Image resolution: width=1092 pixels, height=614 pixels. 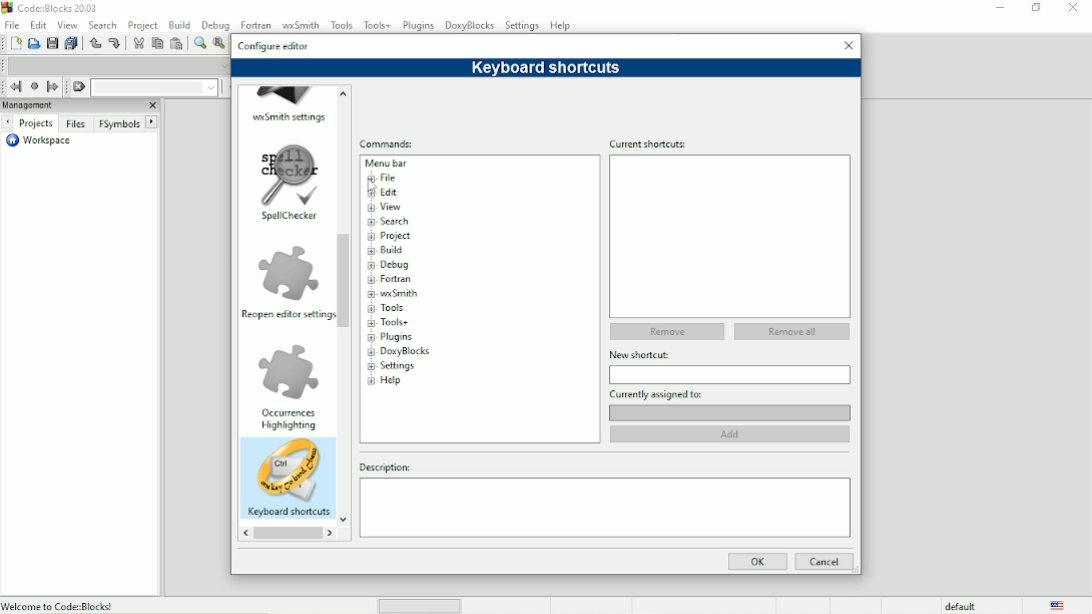 What do you see at coordinates (730, 394) in the screenshot?
I see `Currently assigned to` at bounding box center [730, 394].